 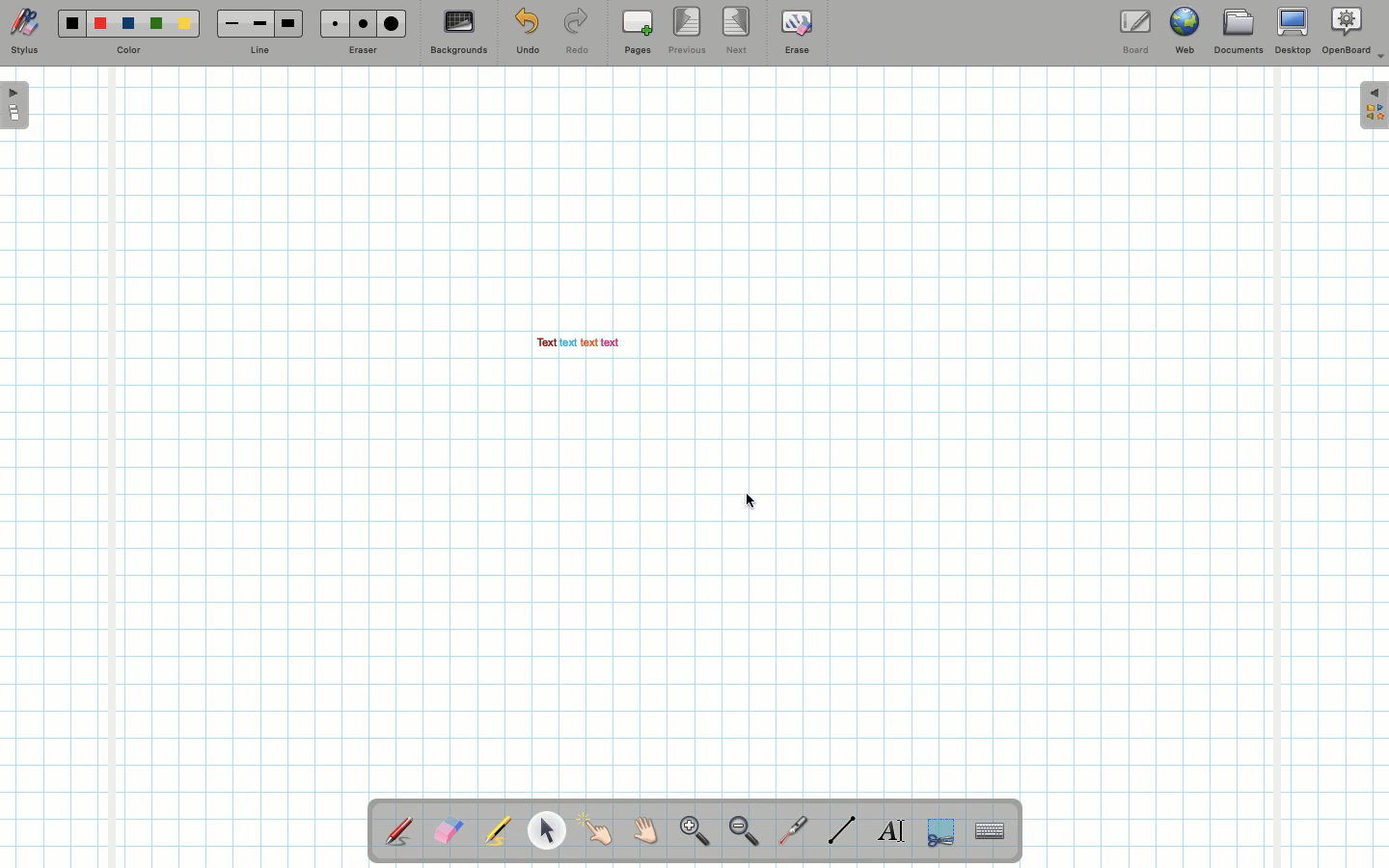 What do you see at coordinates (939, 829) in the screenshot?
I see `Selection` at bounding box center [939, 829].